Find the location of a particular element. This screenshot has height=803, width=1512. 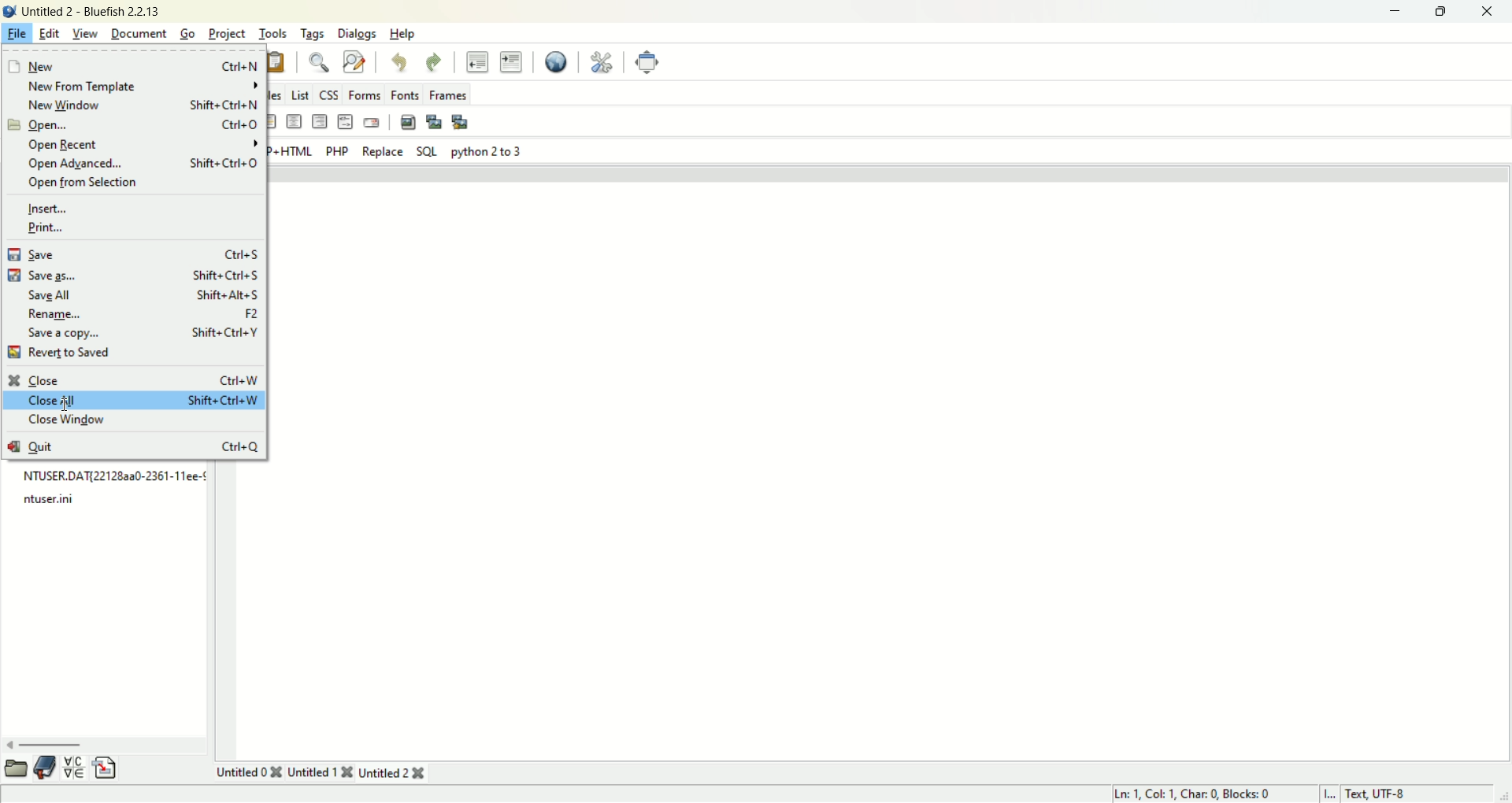

undo is located at coordinates (401, 63).